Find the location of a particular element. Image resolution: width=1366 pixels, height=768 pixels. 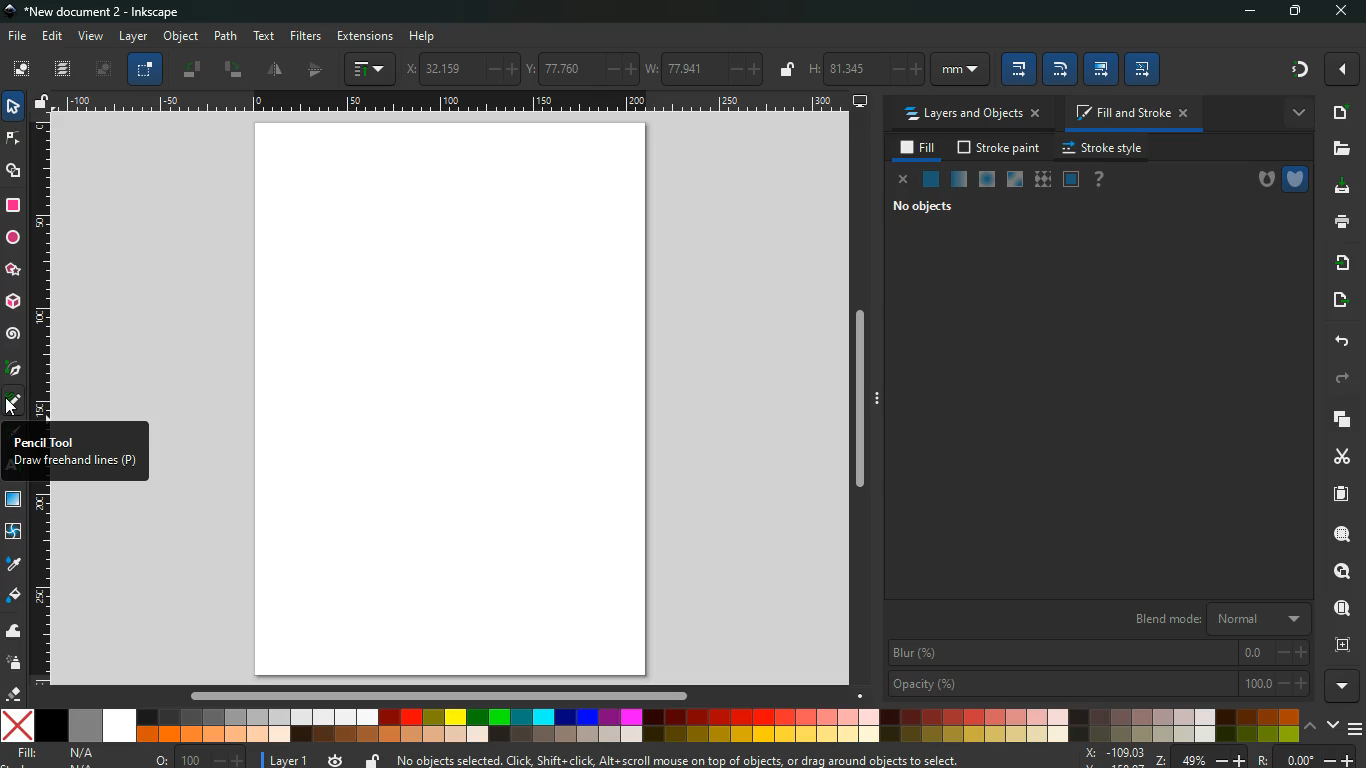

down is located at coordinates (1332, 725).